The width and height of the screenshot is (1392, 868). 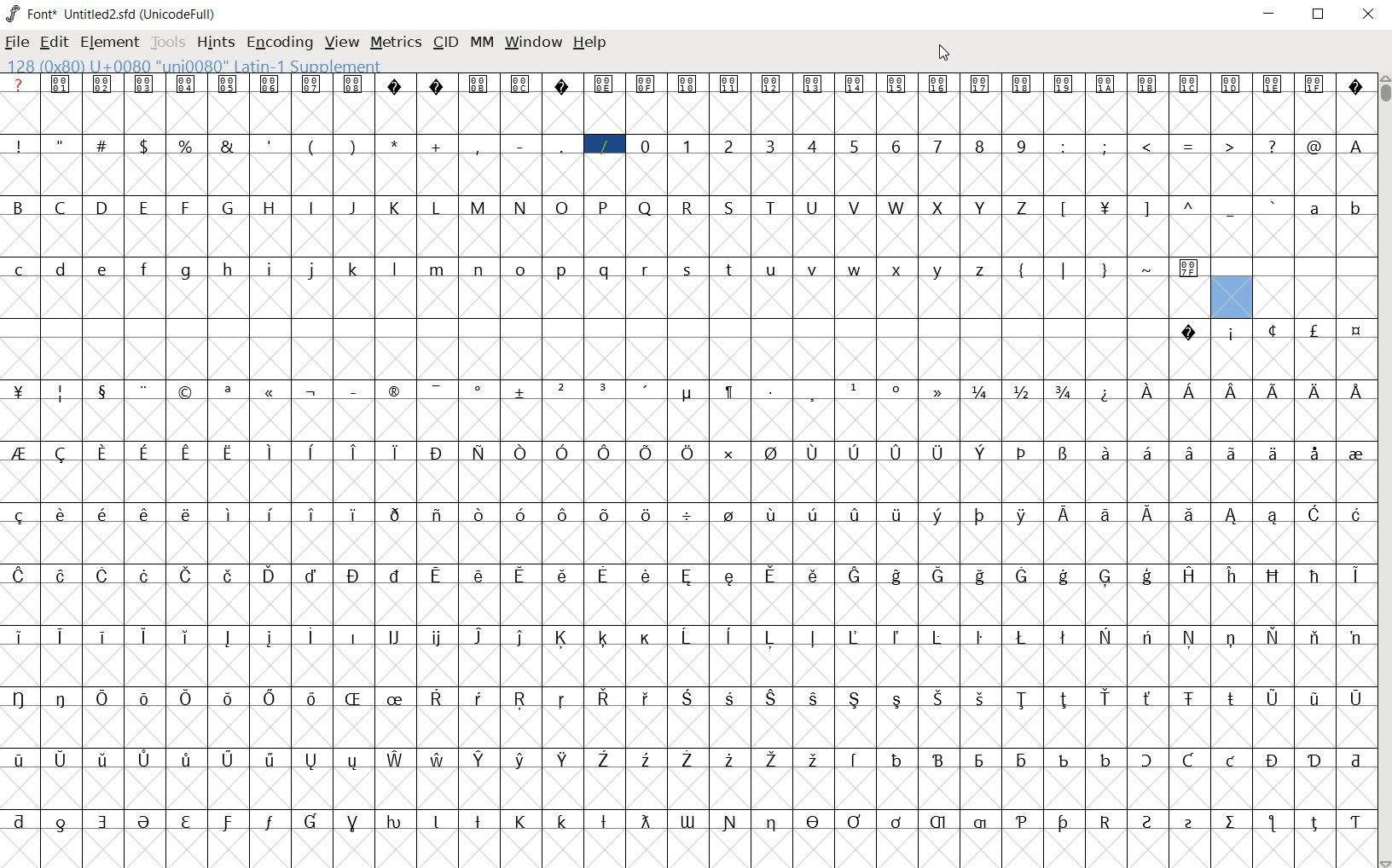 I want to click on glyph, so click(x=103, y=514).